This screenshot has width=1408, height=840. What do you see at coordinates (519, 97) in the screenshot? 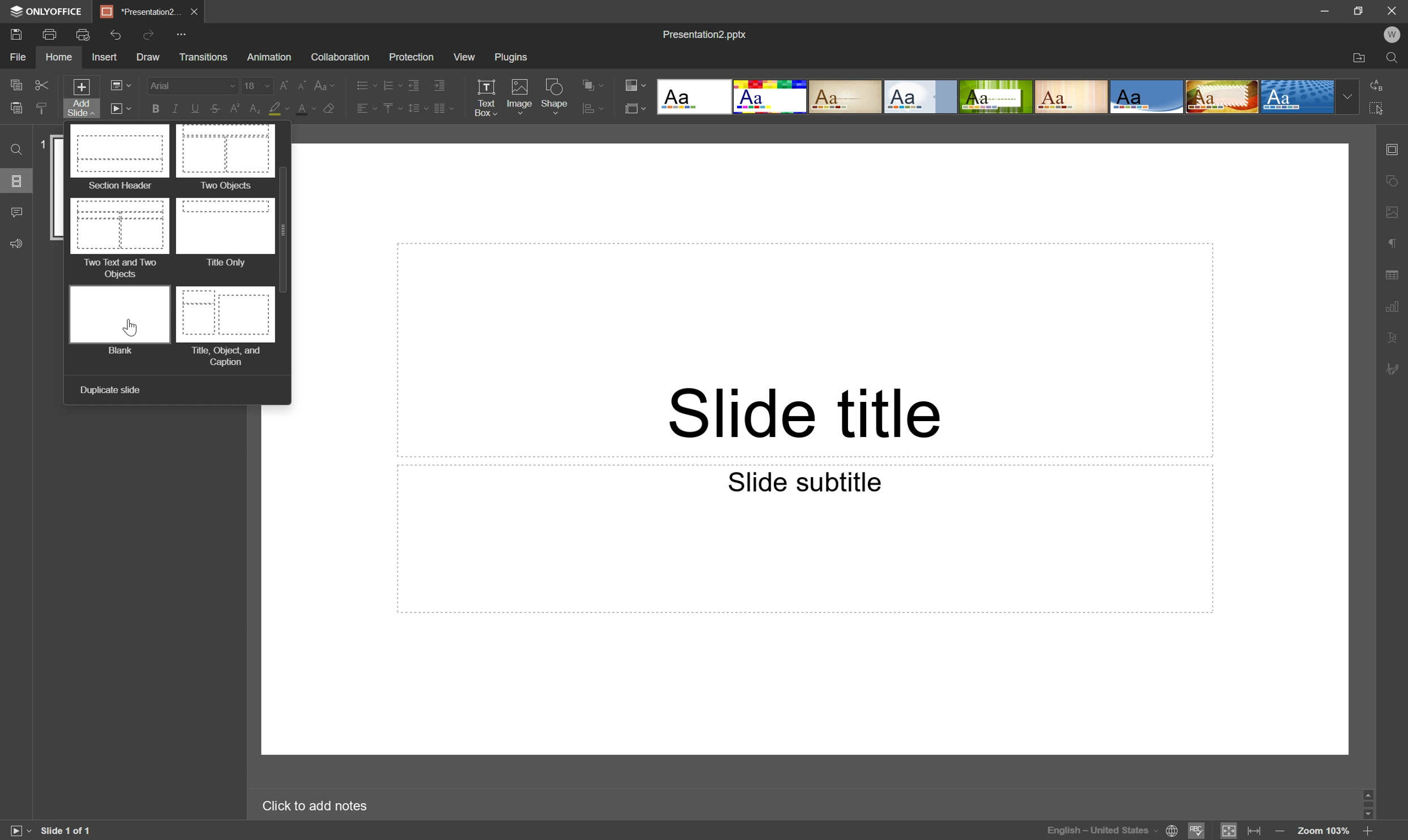
I see `Image` at bounding box center [519, 97].